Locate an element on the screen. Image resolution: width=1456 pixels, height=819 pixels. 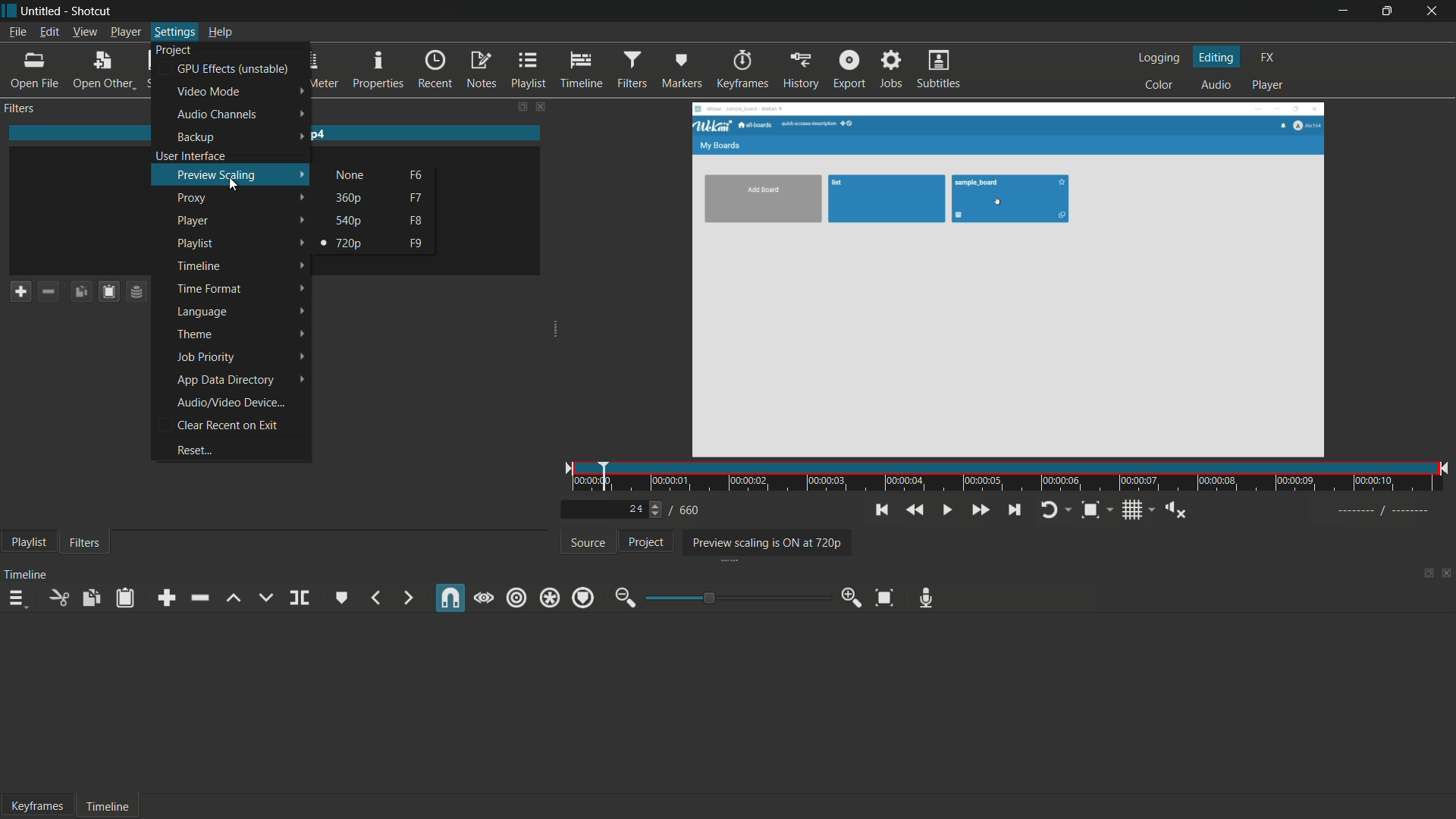
toggle player looping is located at coordinates (1050, 510).